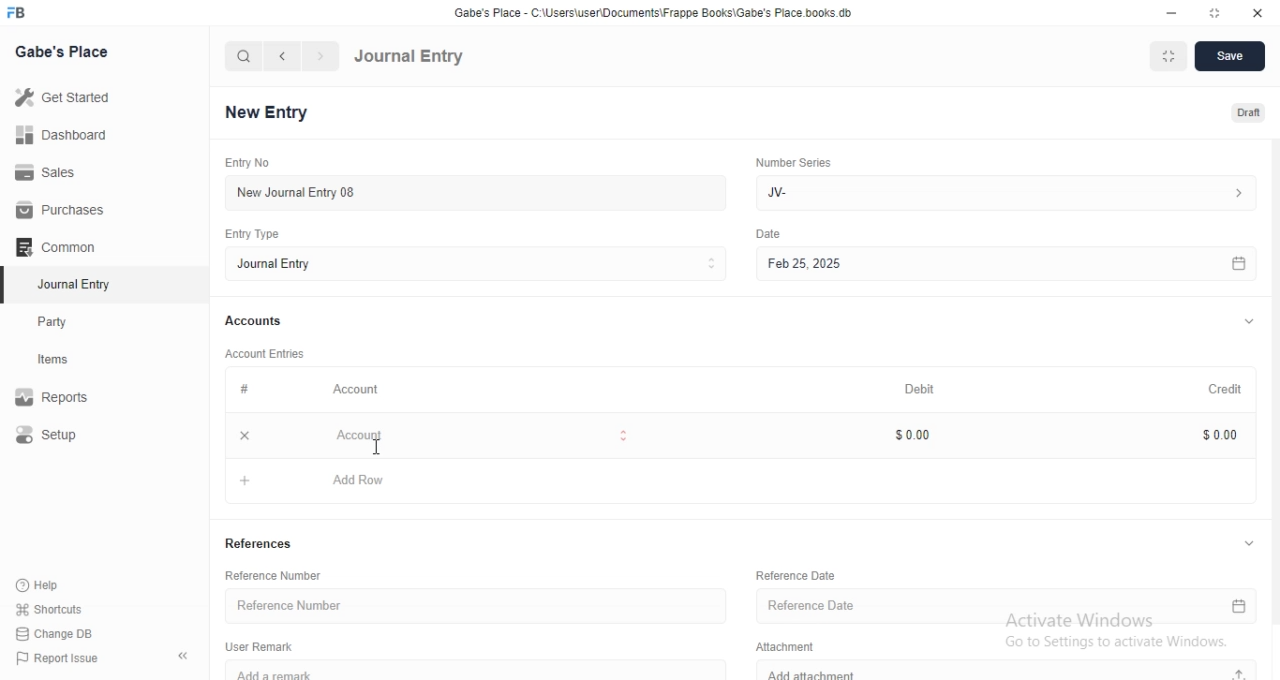  I want to click on Add attachment, so click(1009, 671).